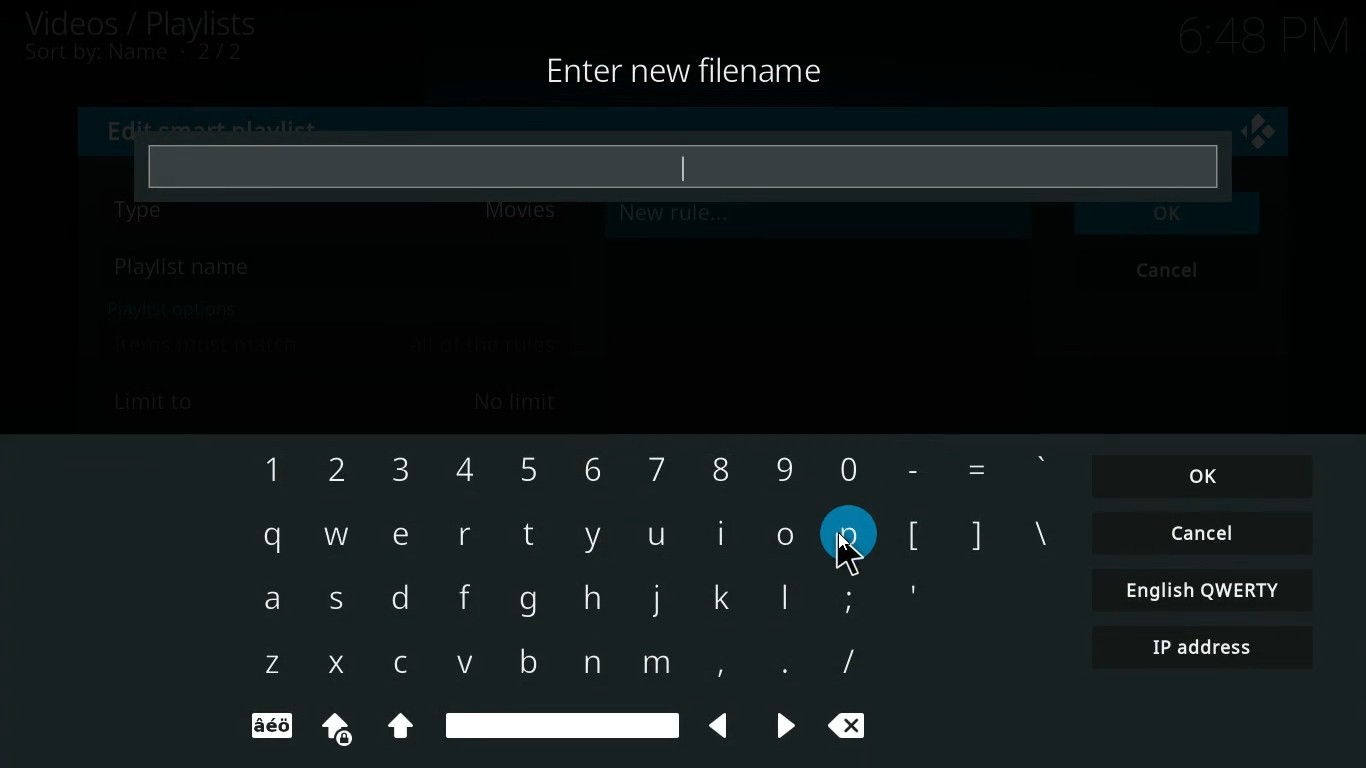 This screenshot has width=1366, height=768. What do you see at coordinates (727, 597) in the screenshot?
I see `k` at bounding box center [727, 597].